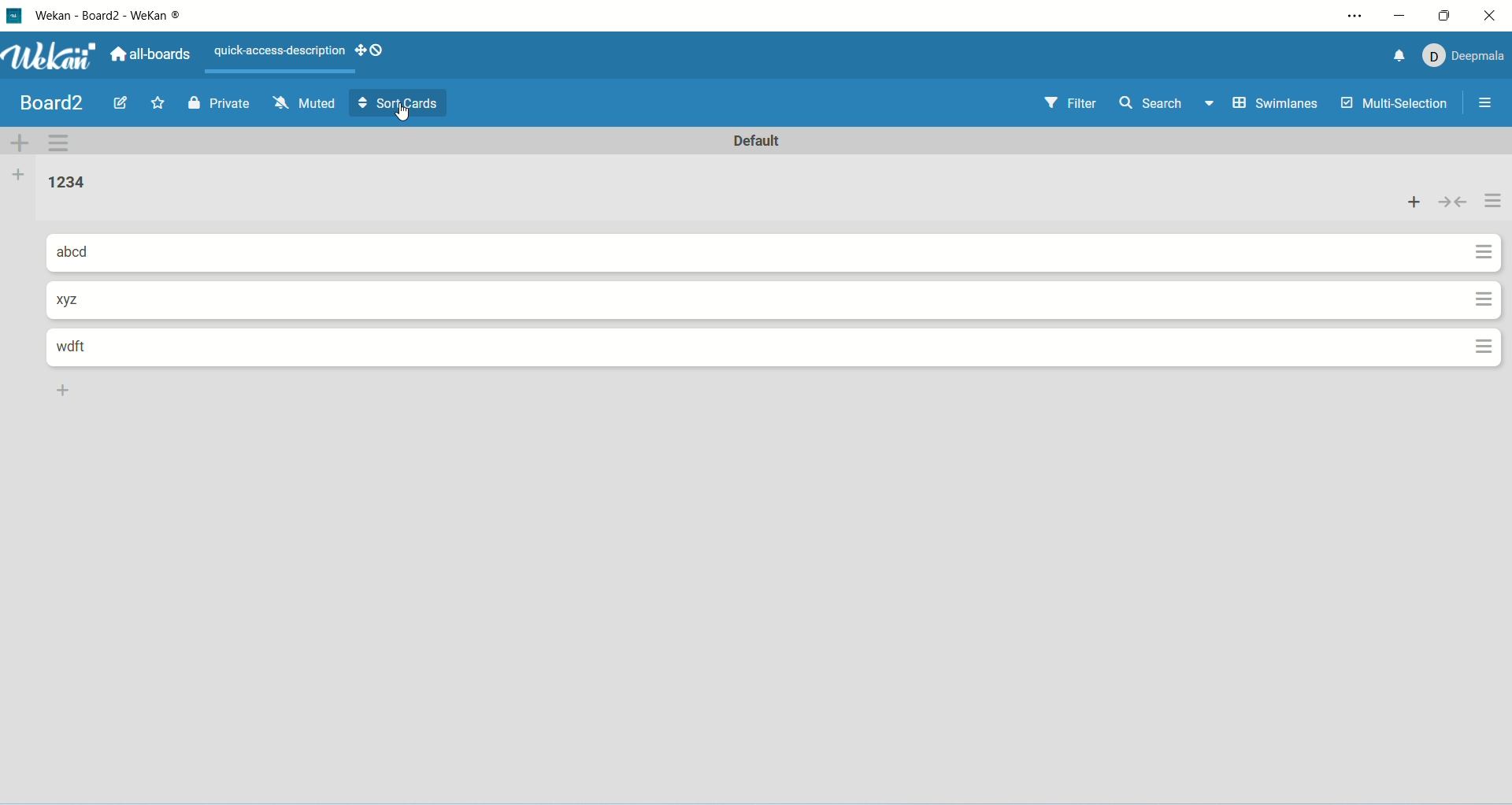 The height and width of the screenshot is (805, 1512). I want to click on text, so click(273, 50).